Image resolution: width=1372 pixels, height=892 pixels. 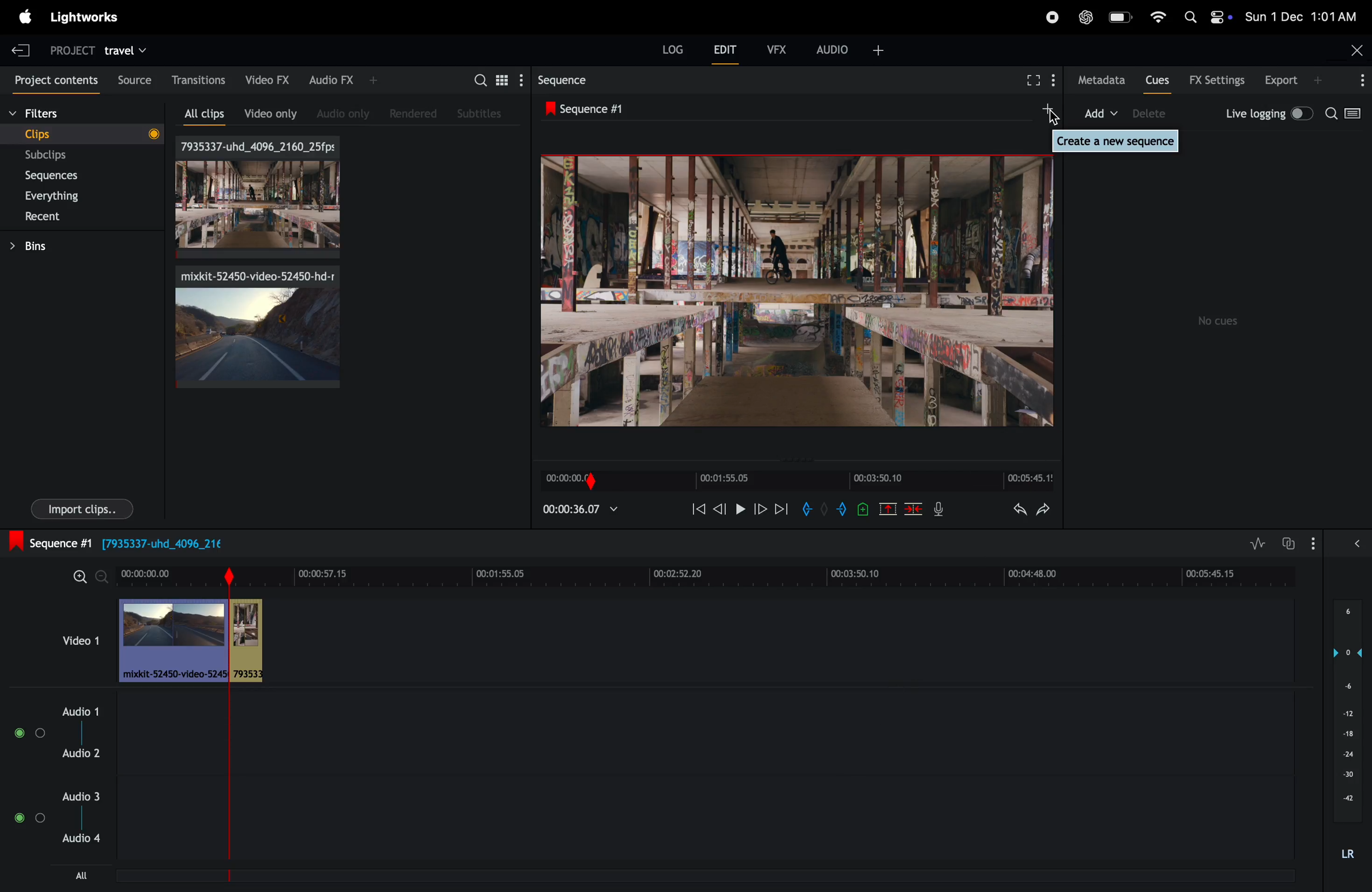 What do you see at coordinates (914, 509) in the screenshot?
I see `delete clps` at bounding box center [914, 509].